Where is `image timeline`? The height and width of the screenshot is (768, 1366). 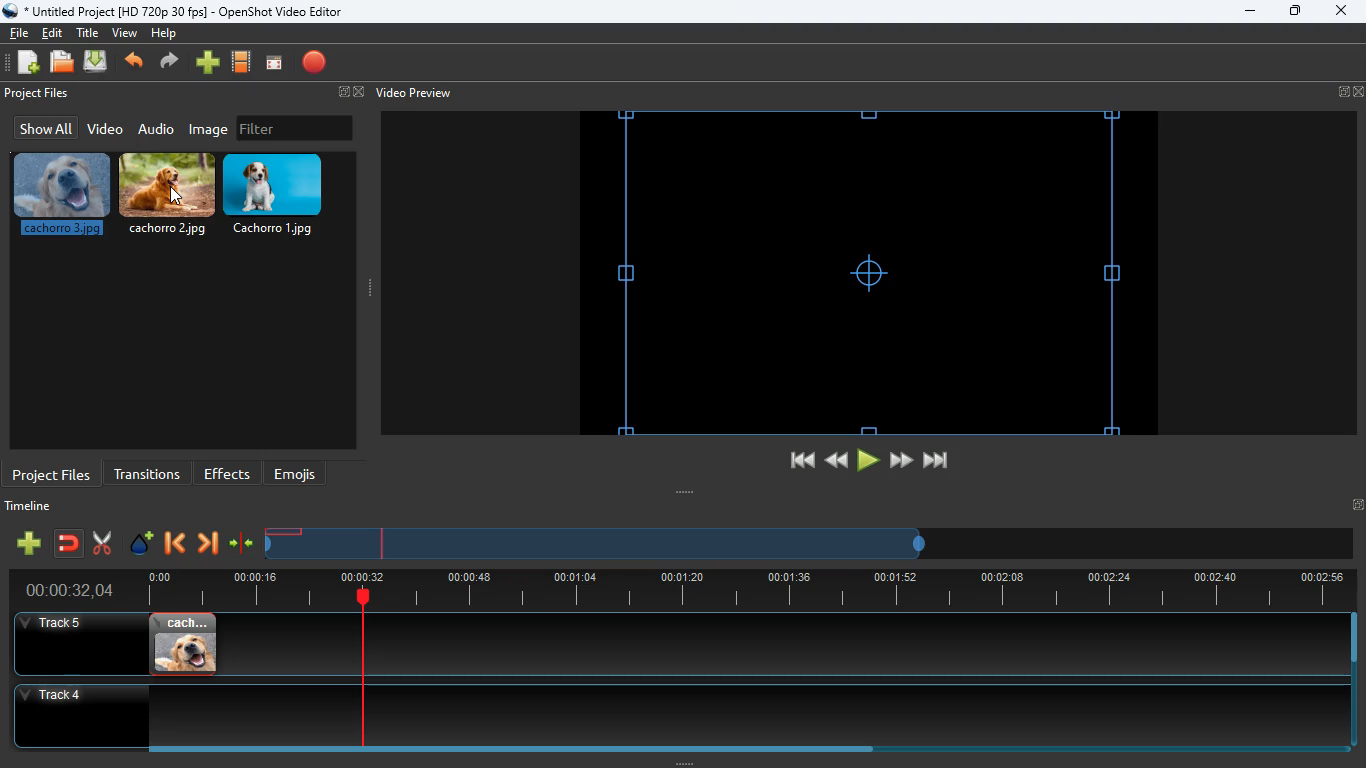 image timeline is located at coordinates (284, 532).